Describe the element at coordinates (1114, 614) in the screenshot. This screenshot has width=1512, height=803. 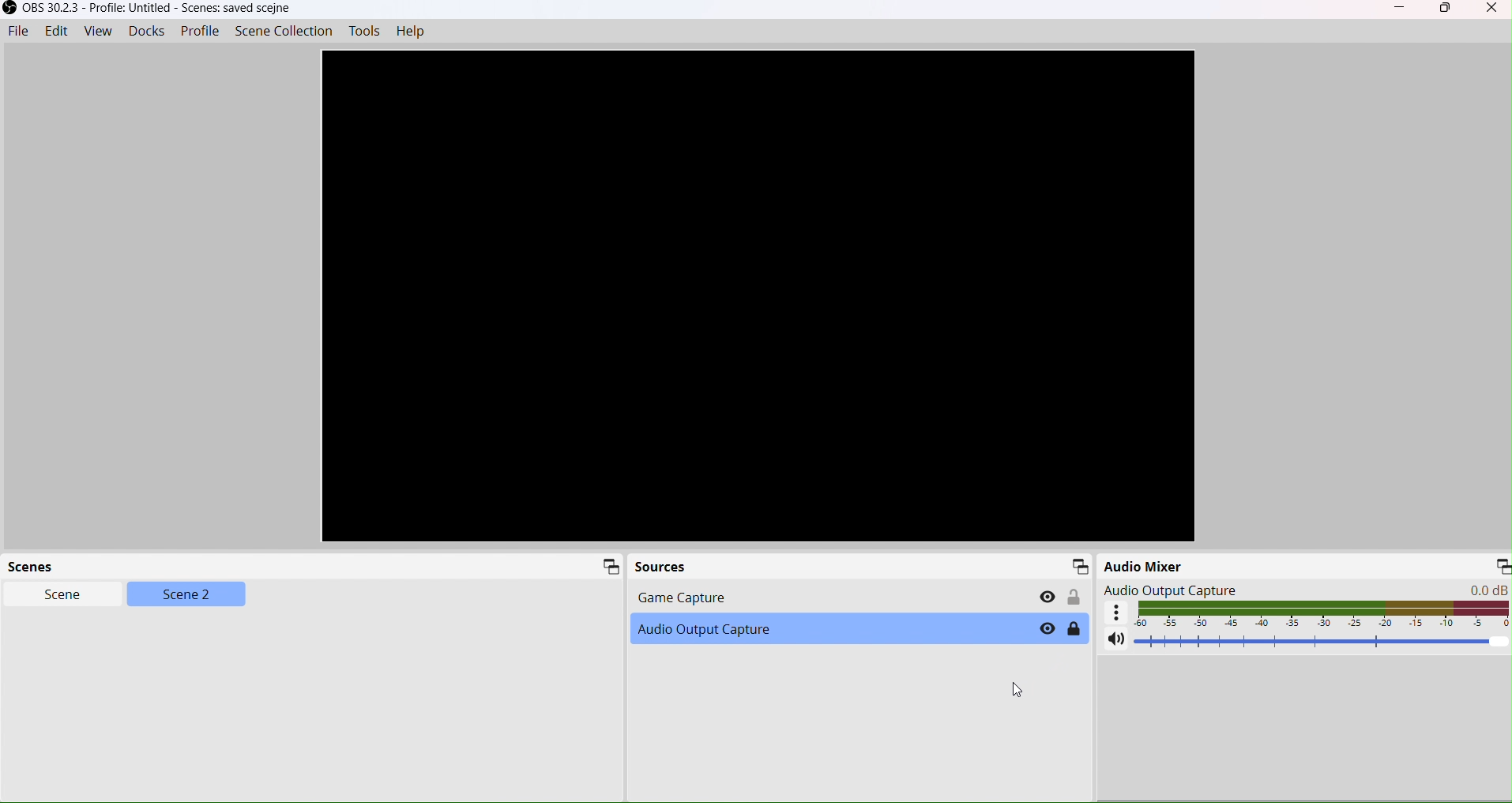
I see `Advanced audio setting ` at that location.